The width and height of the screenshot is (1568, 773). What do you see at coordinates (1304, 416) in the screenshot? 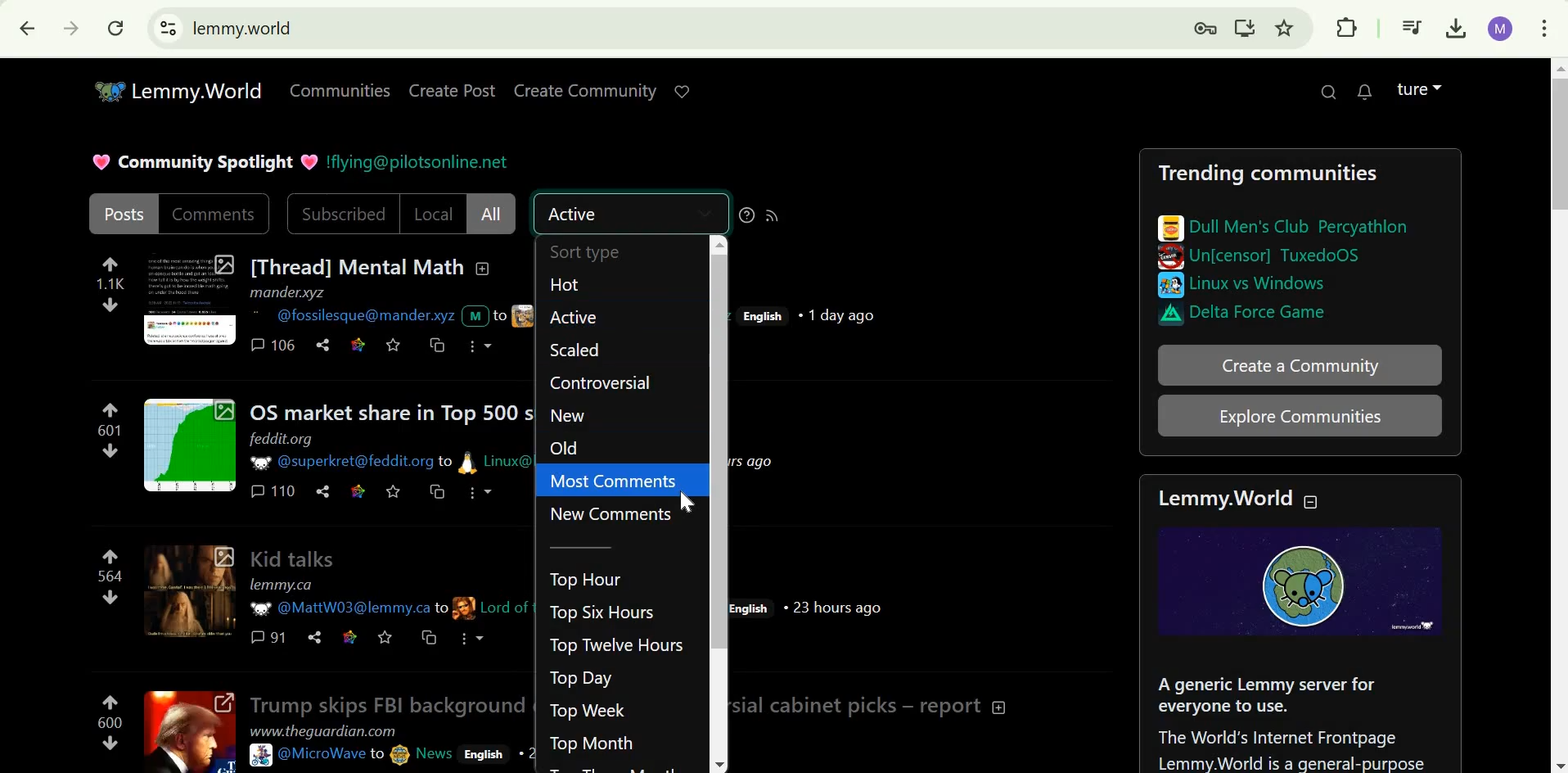
I see `Explore communities` at bounding box center [1304, 416].